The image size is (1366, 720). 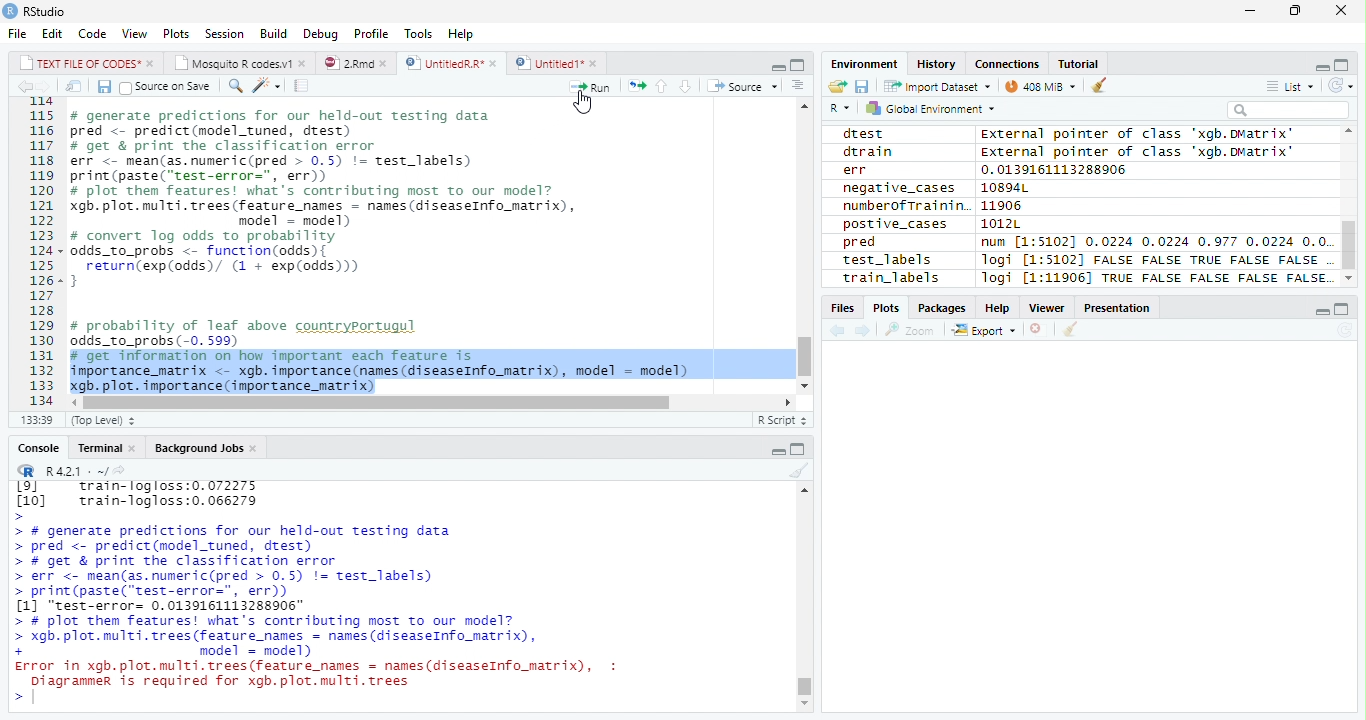 I want to click on Refresh, so click(x=1340, y=84).